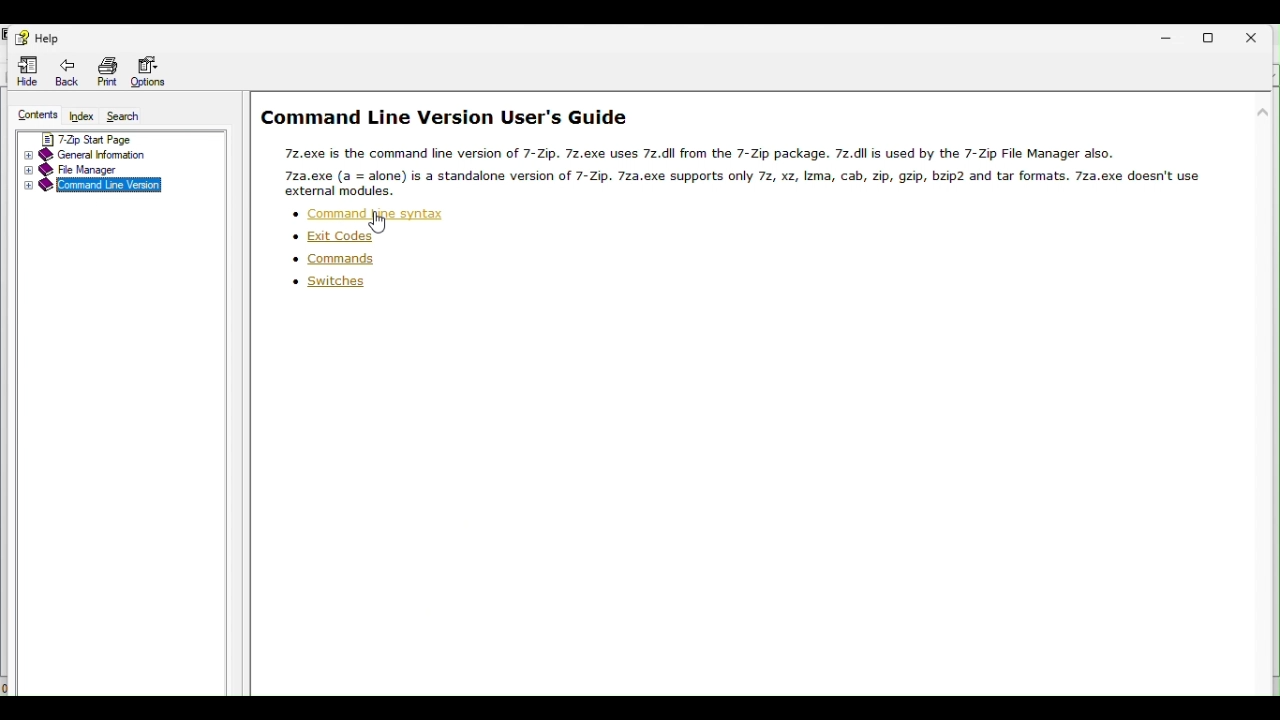 The width and height of the screenshot is (1280, 720). Describe the element at coordinates (35, 116) in the screenshot. I see `Content ` at that location.